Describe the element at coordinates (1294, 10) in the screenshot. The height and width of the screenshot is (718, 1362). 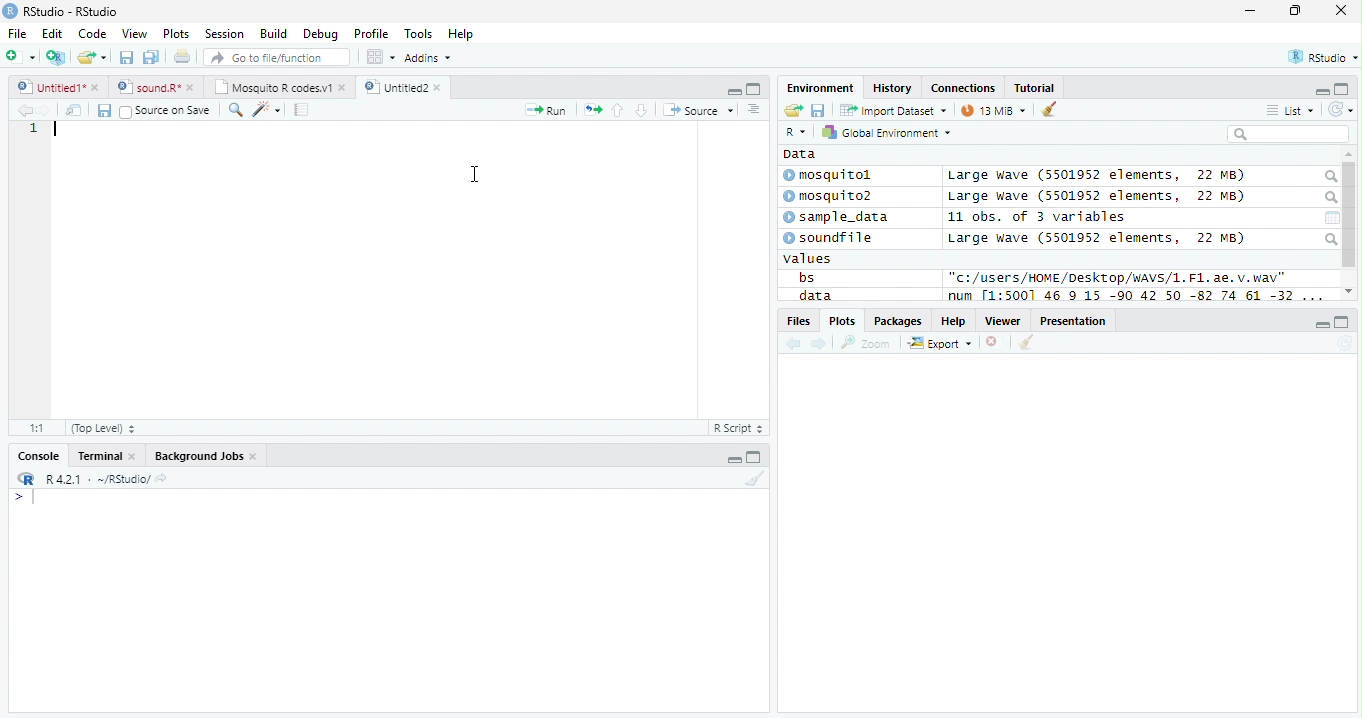
I see `maximize` at that location.